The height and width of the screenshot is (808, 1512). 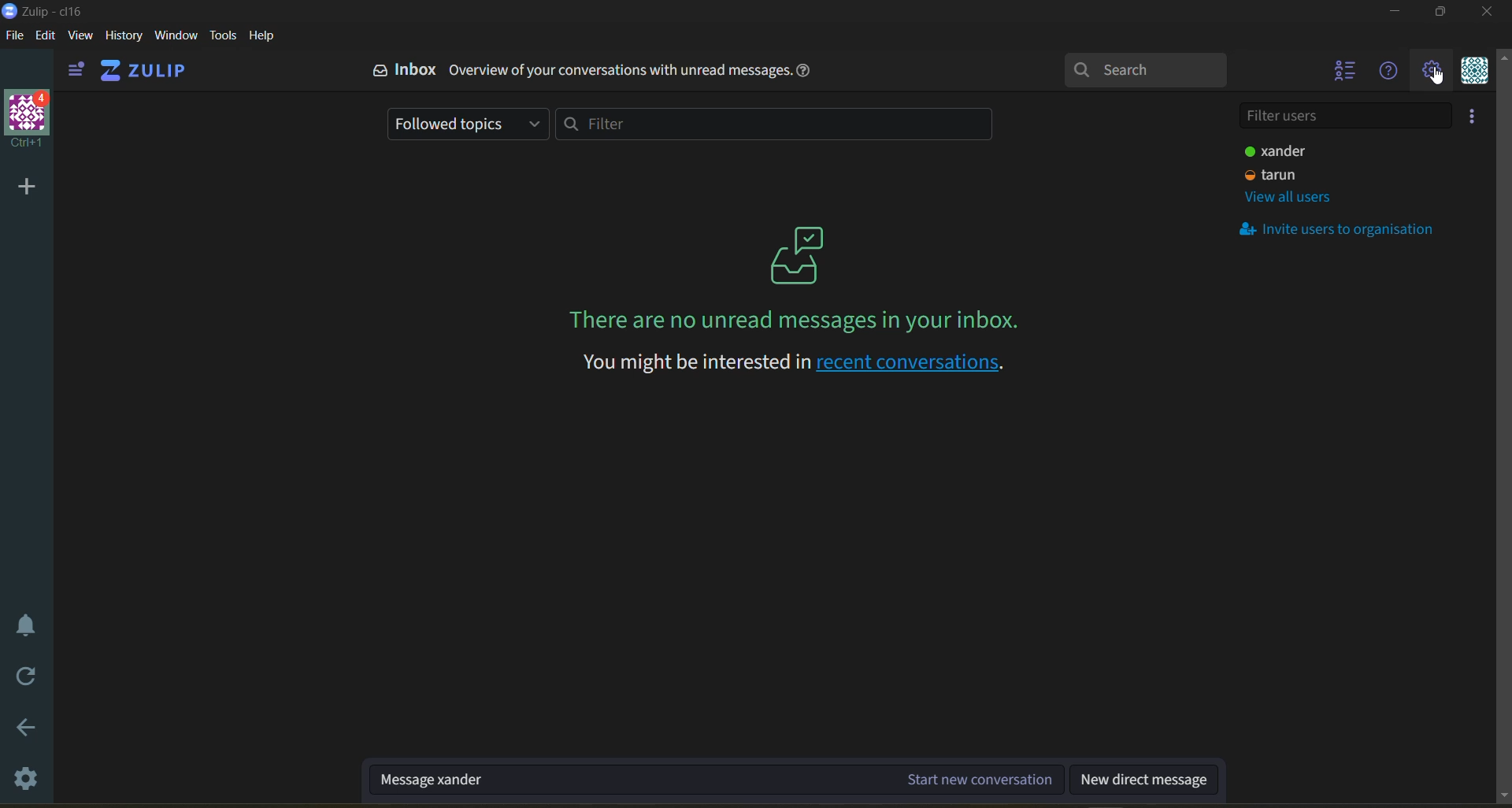 What do you see at coordinates (1347, 228) in the screenshot?
I see `invite users to organisation` at bounding box center [1347, 228].